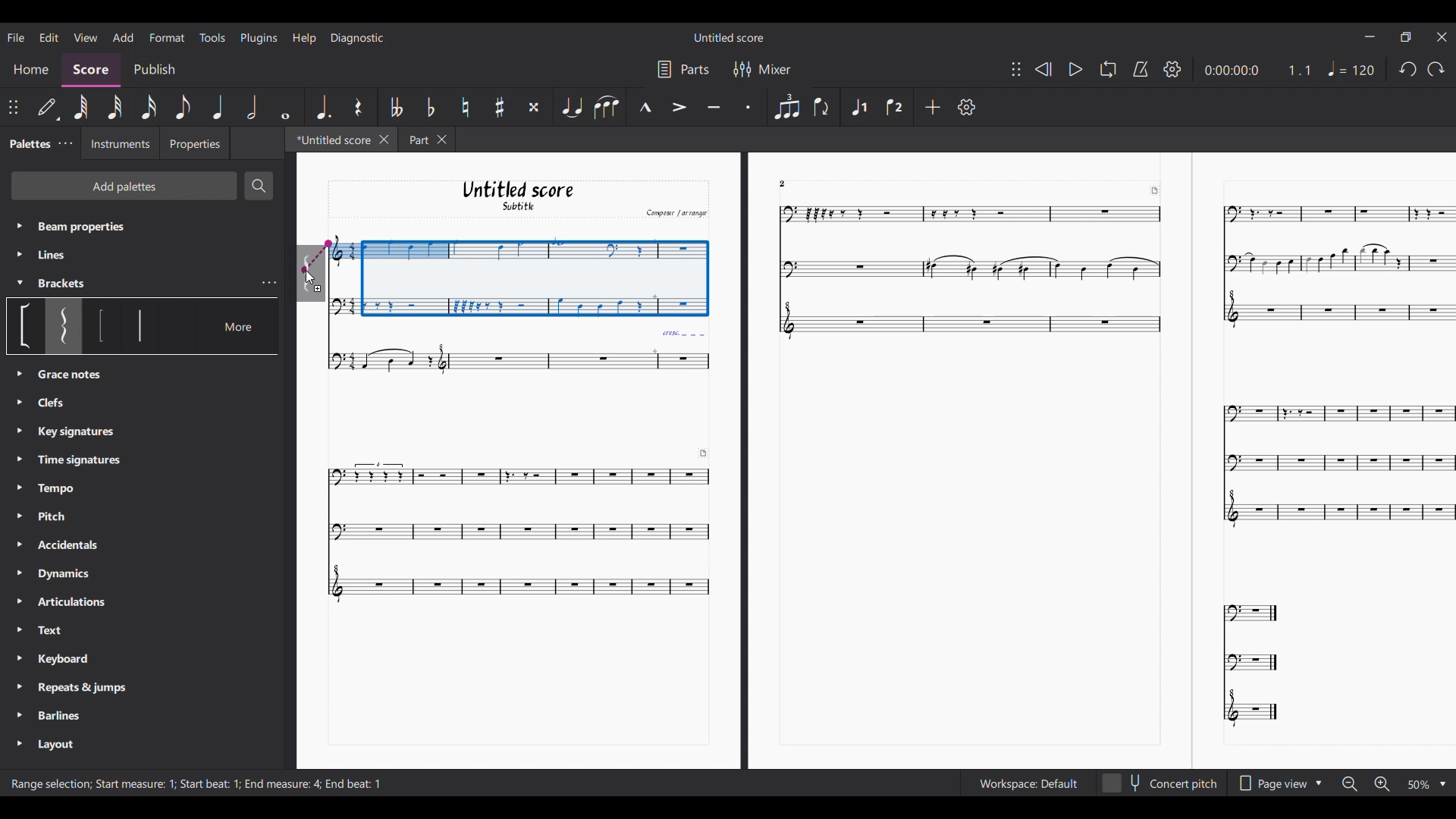 This screenshot has height=819, width=1456. What do you see at coordinates (17, 403) in the screenshot?
I see `` at bounding box center [17, 403].